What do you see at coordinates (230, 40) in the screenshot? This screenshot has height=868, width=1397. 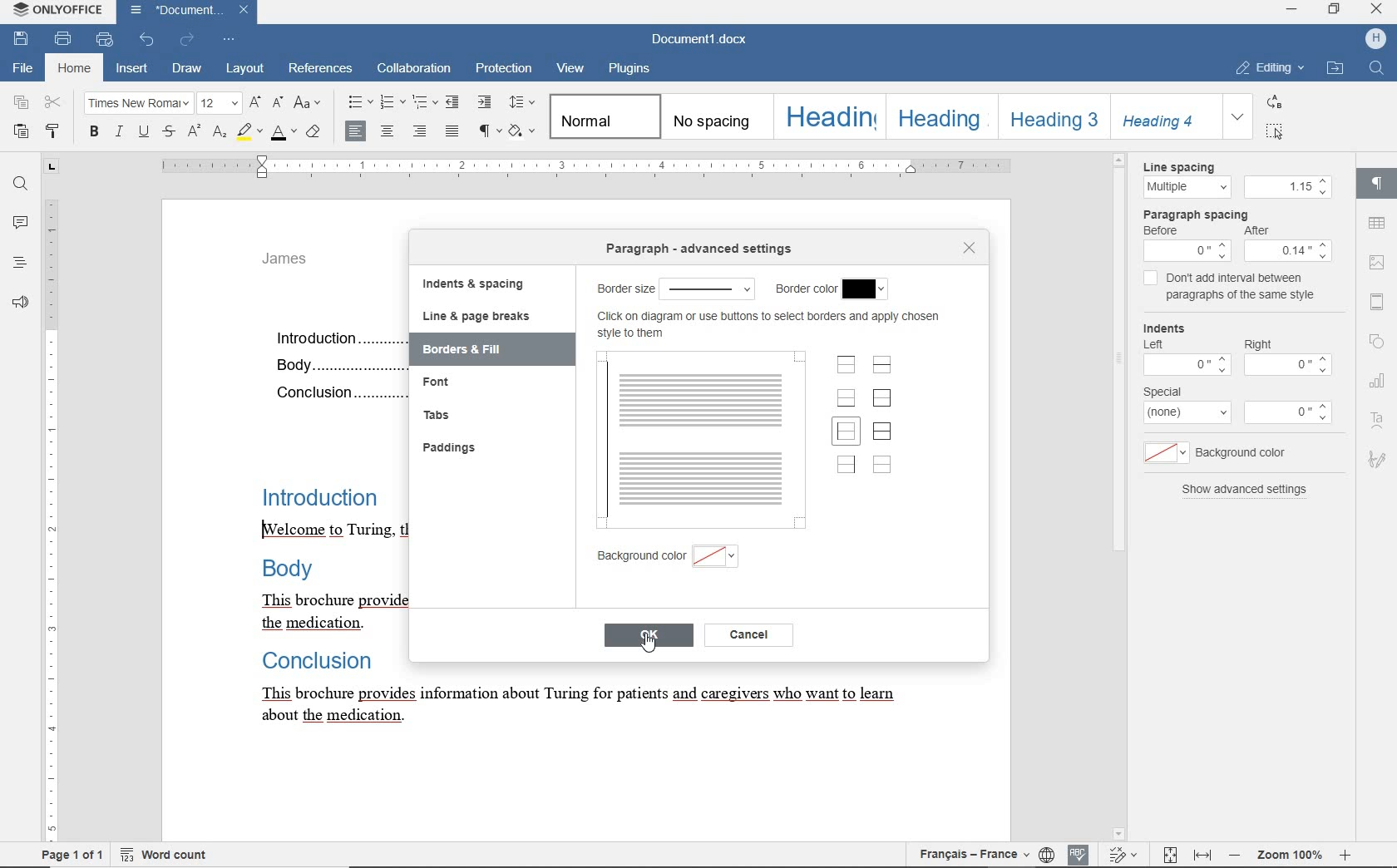 I see `customize quick access toolbar` at bounding box center [230, 40].